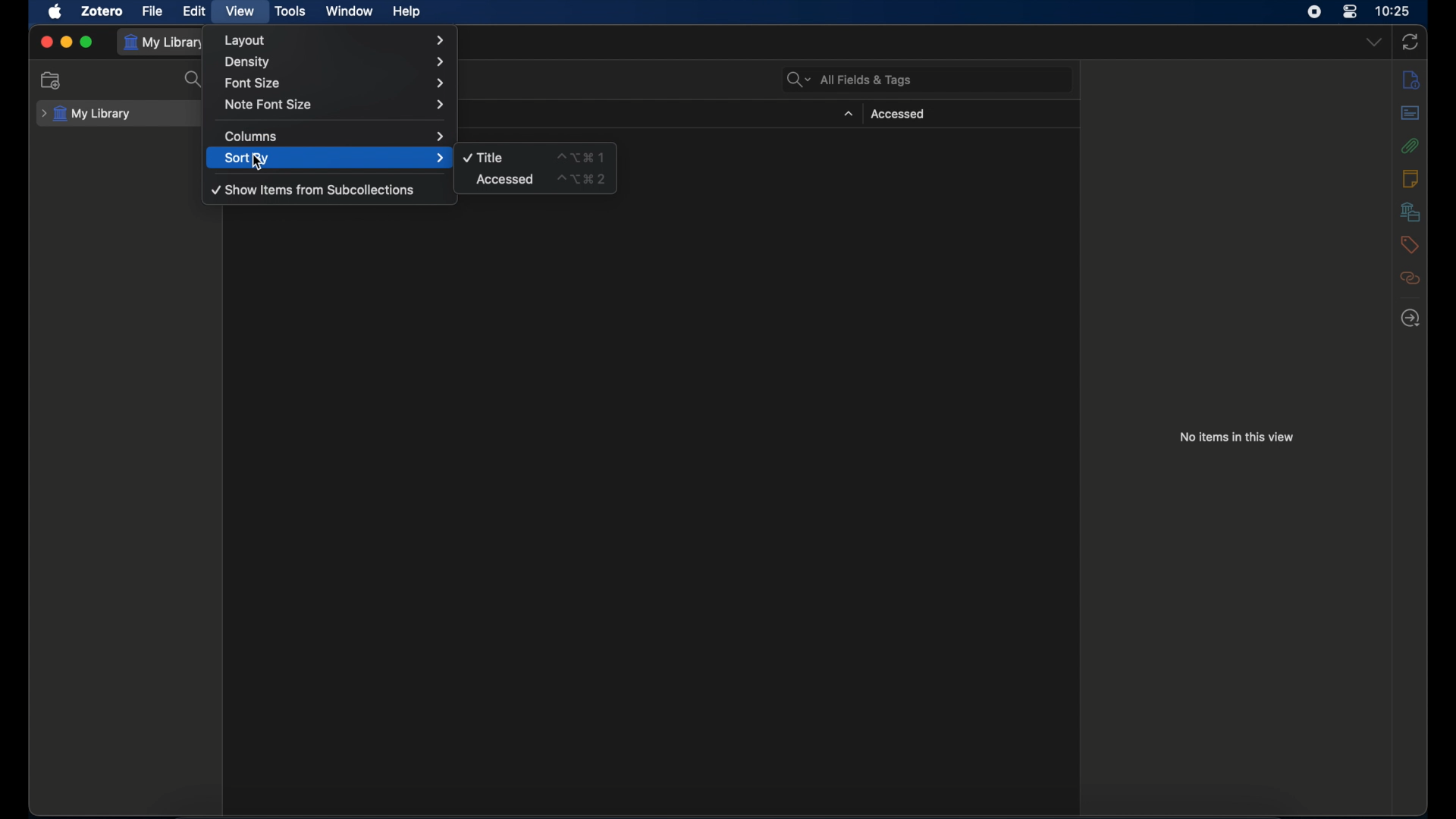  I want to click on layout, so click(334, 40).